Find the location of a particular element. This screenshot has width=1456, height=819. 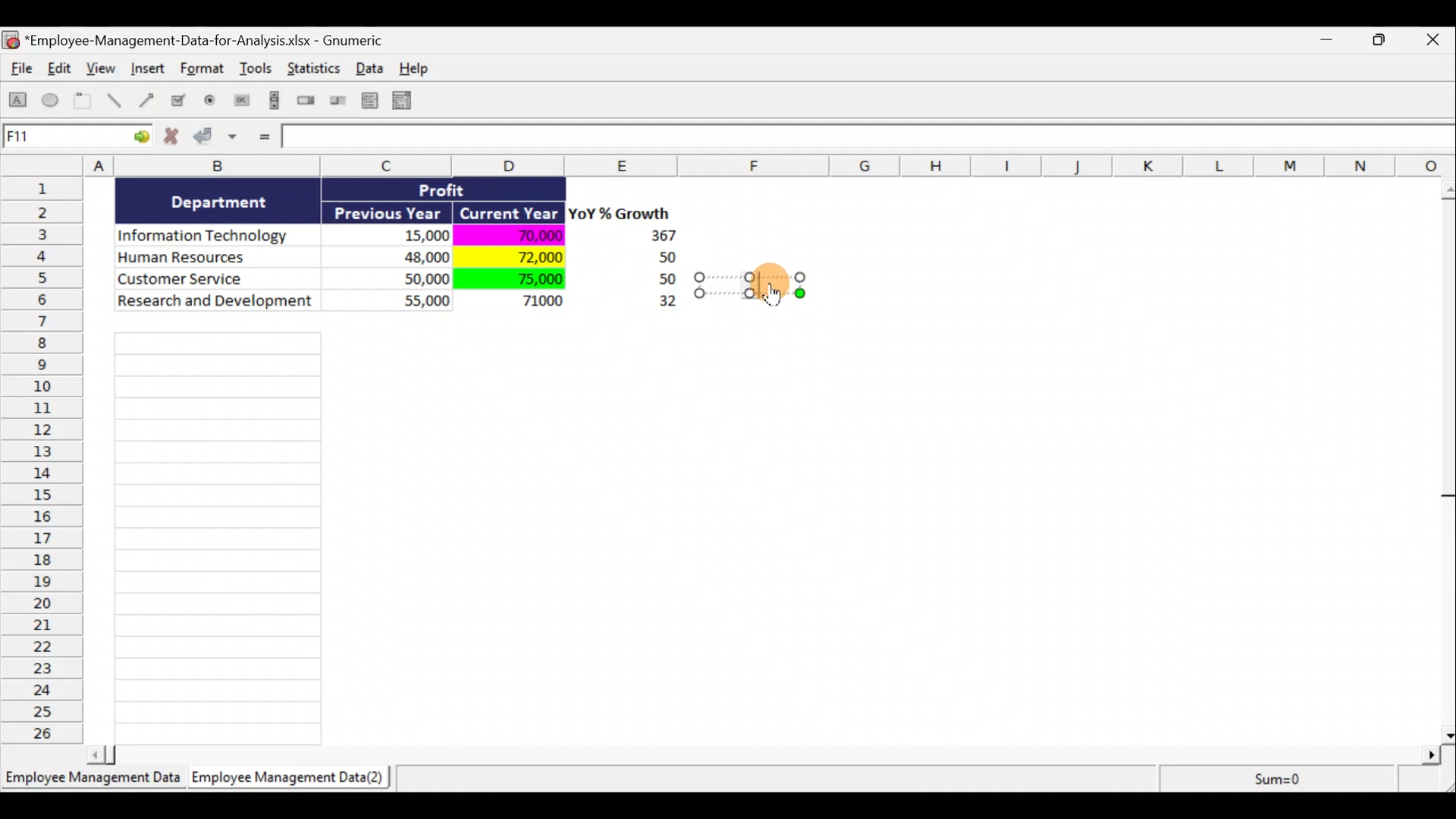

Tools is located at coordinates (258, 71).